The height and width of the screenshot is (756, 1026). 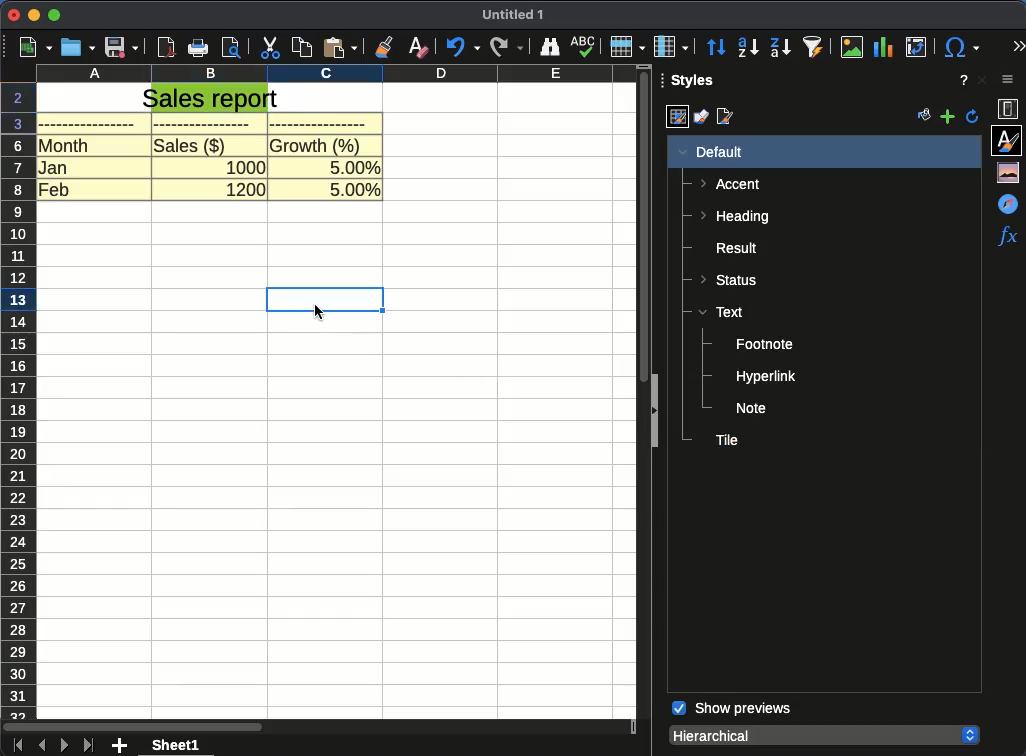 What do you see at coordinates (1011, 110) in the screenshot?
I see `properties` at bounding box center [1011, 110].